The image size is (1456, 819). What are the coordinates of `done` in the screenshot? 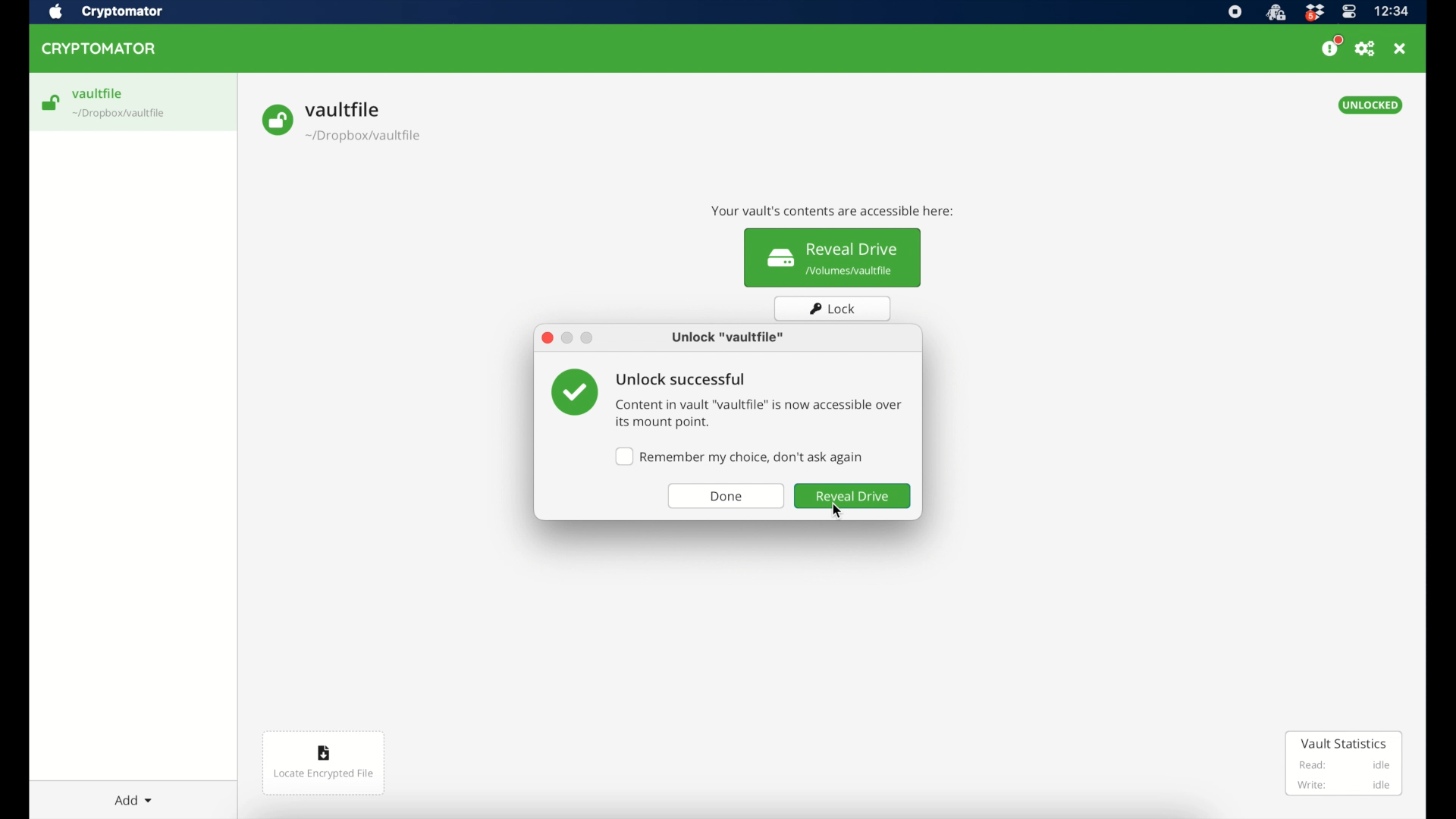 It's located at (727, 497).